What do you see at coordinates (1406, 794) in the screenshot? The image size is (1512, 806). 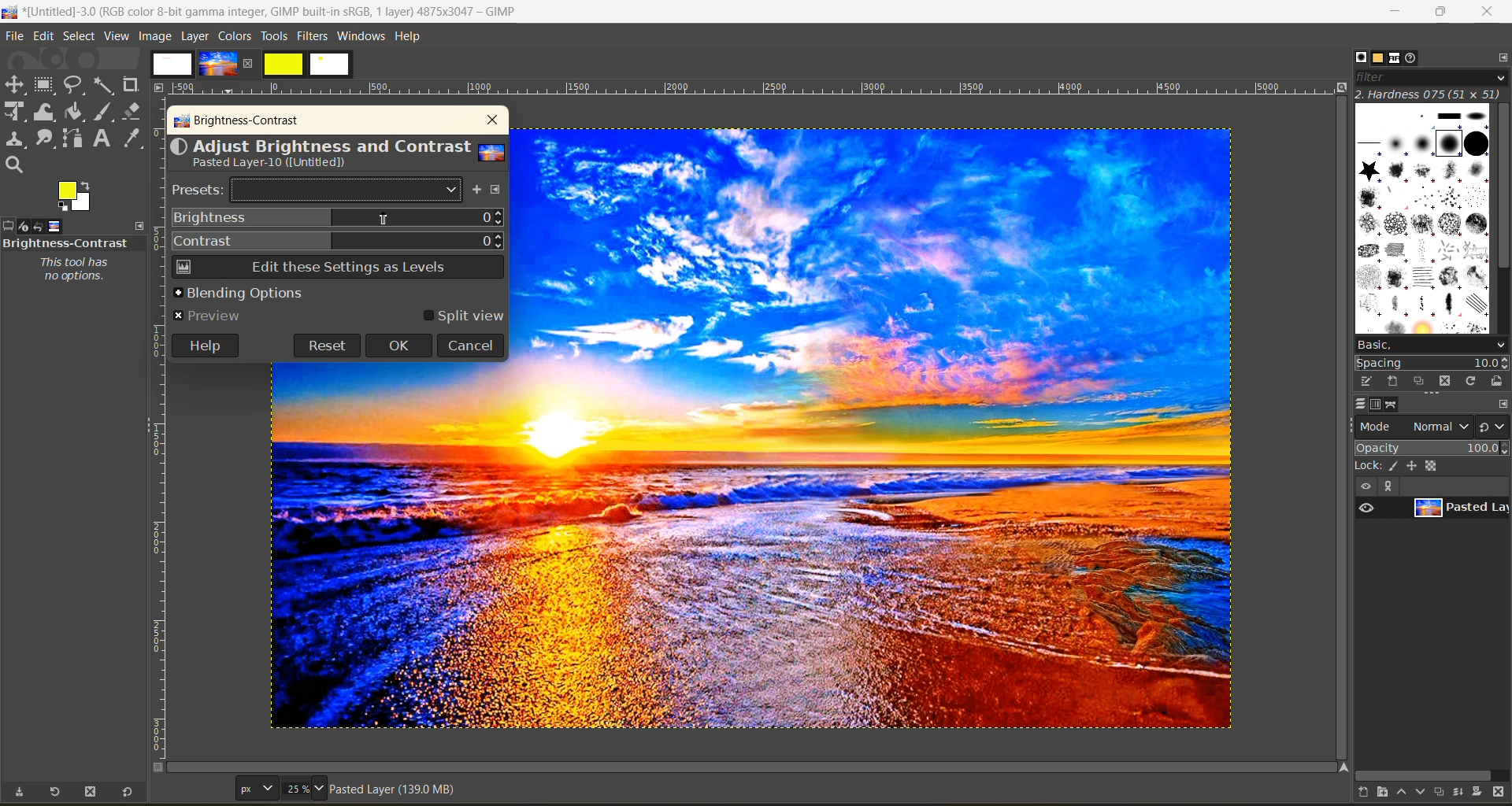 I see `raise this layer` at bounding box center [1406, 794].